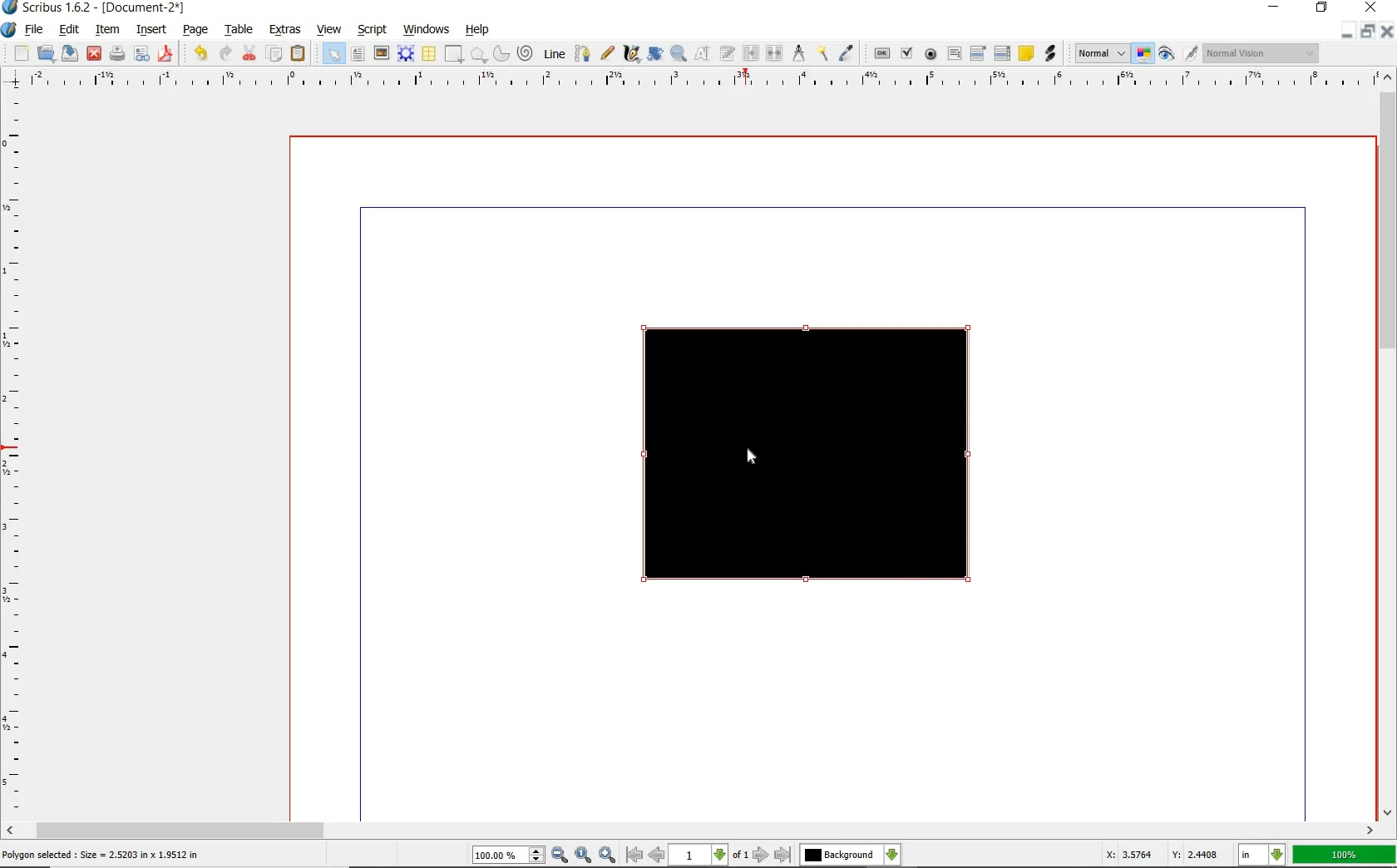  What do you see at coordinates (560, 855) in the screenshot?
I see `zoom out` at bounding box center [560, 855].